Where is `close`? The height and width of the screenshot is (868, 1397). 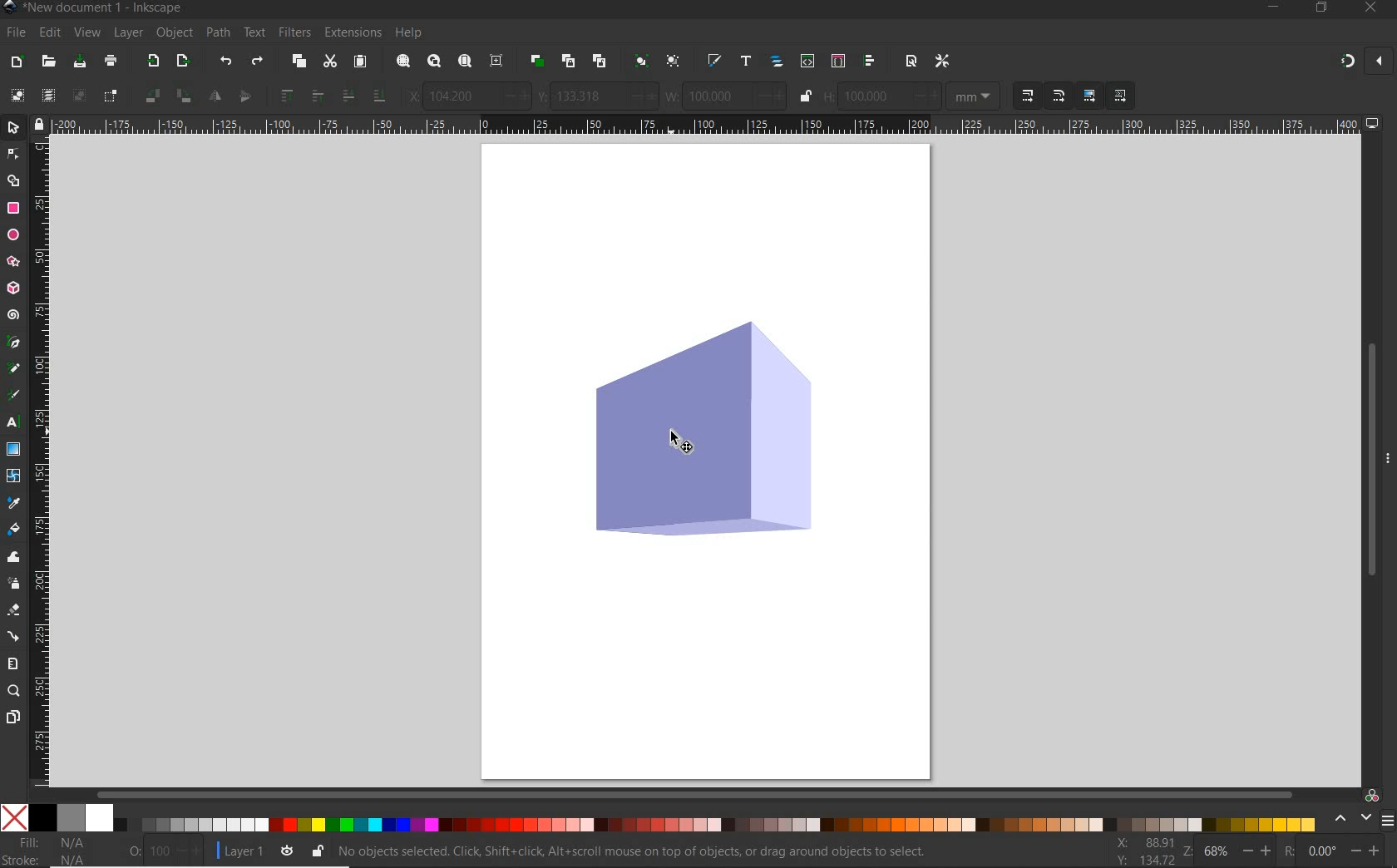
close is located at coordinates (1381, 62).